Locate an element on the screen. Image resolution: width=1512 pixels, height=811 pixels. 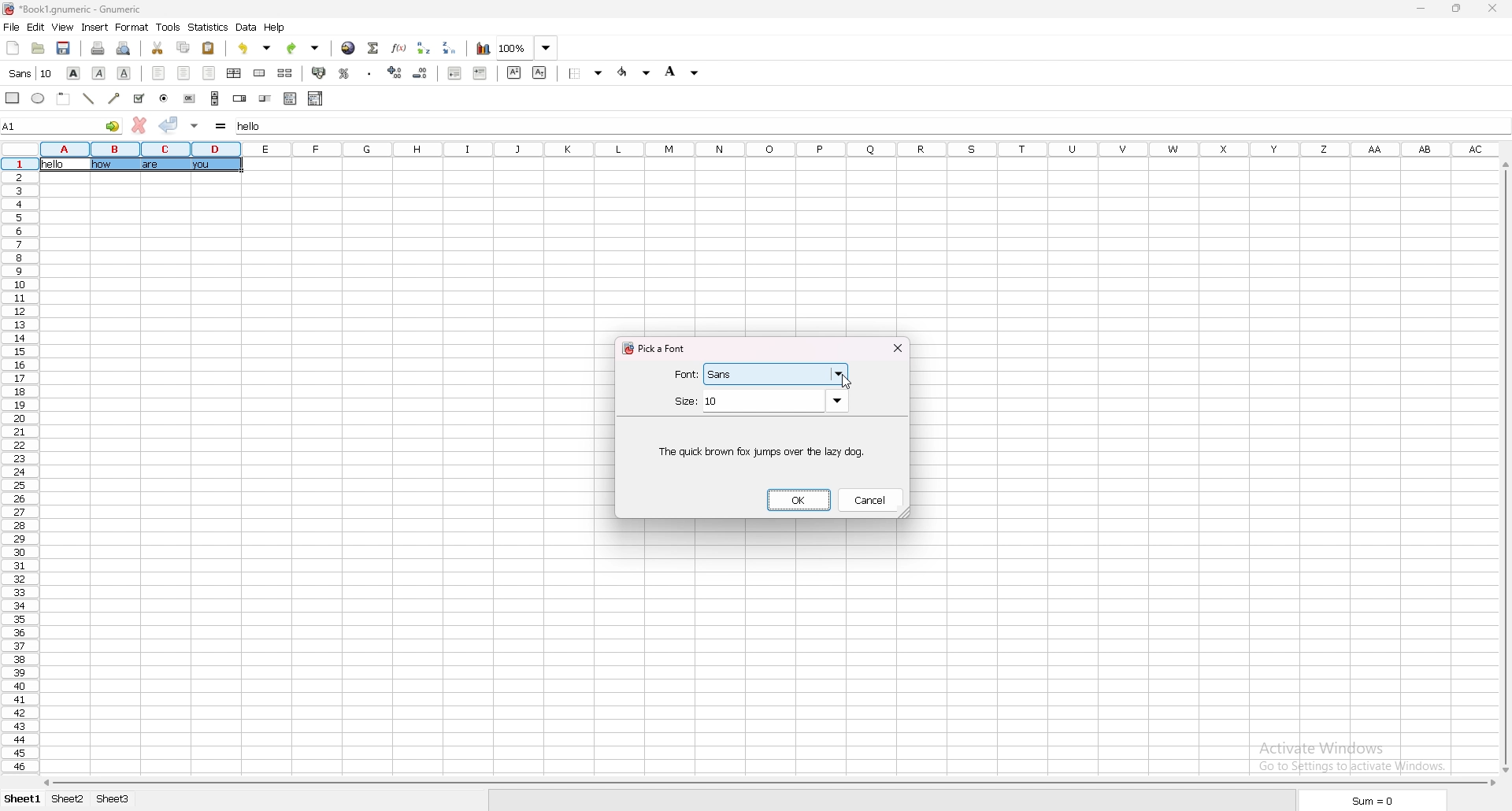
foreground is located at coordinates (634, 72).